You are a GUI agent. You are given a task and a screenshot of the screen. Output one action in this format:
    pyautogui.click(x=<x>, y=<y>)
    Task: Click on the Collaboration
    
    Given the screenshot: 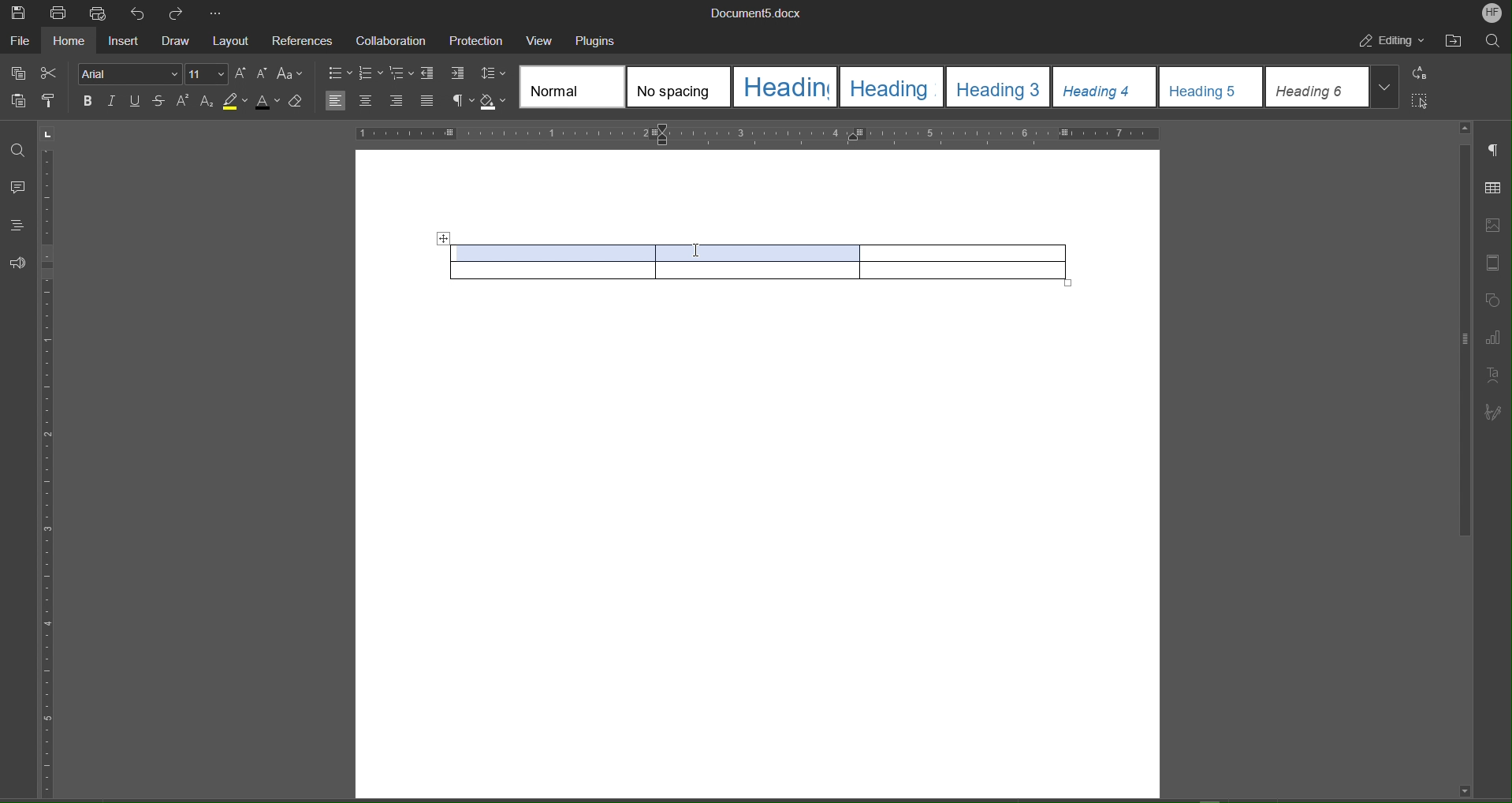 What is the action you would take?
    pyautogui.click(x=391, y=41)
    